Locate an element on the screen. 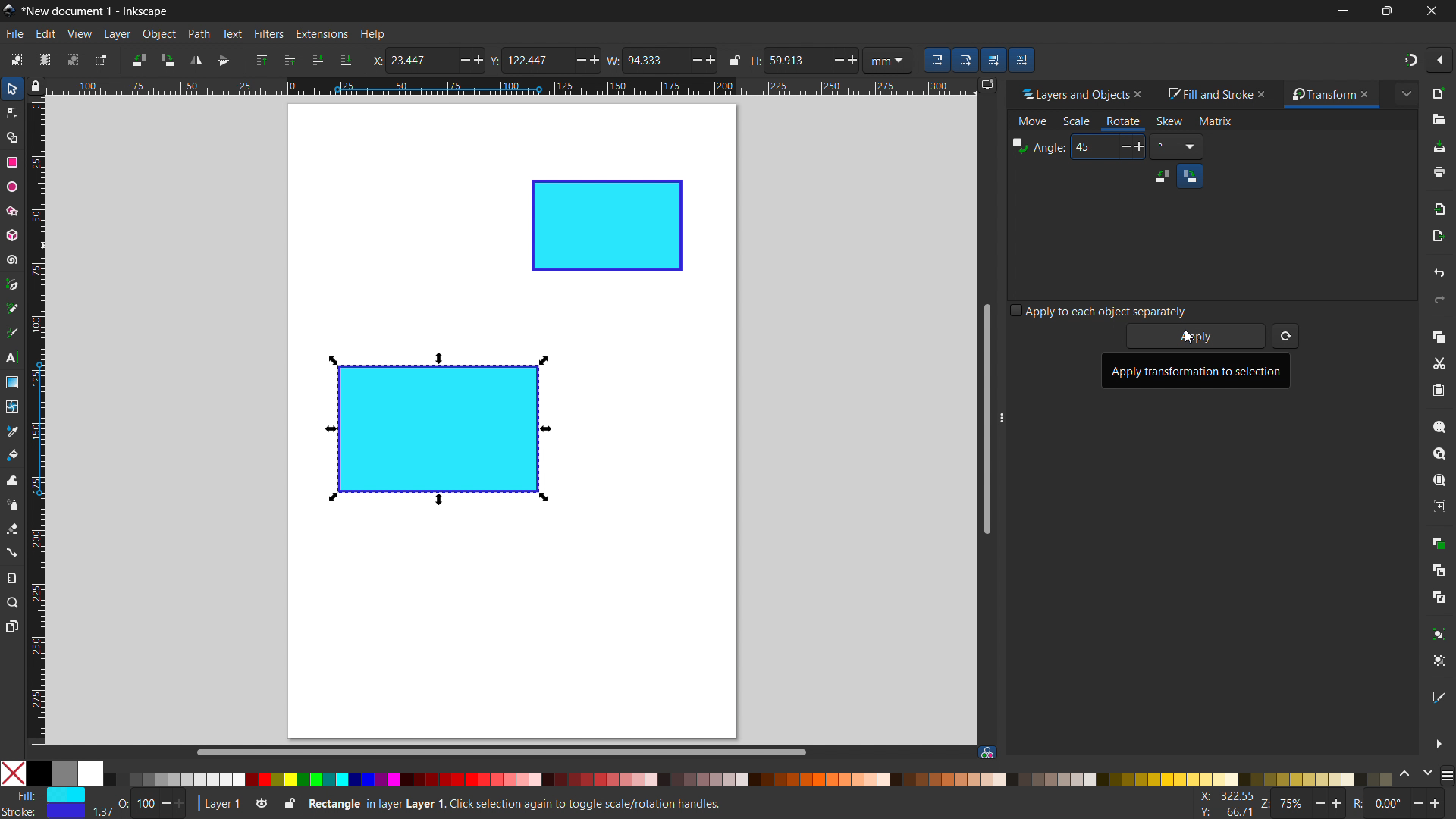 The width and height of the screenshot is (1456, 819). edit is located at coordinates (45, 34).